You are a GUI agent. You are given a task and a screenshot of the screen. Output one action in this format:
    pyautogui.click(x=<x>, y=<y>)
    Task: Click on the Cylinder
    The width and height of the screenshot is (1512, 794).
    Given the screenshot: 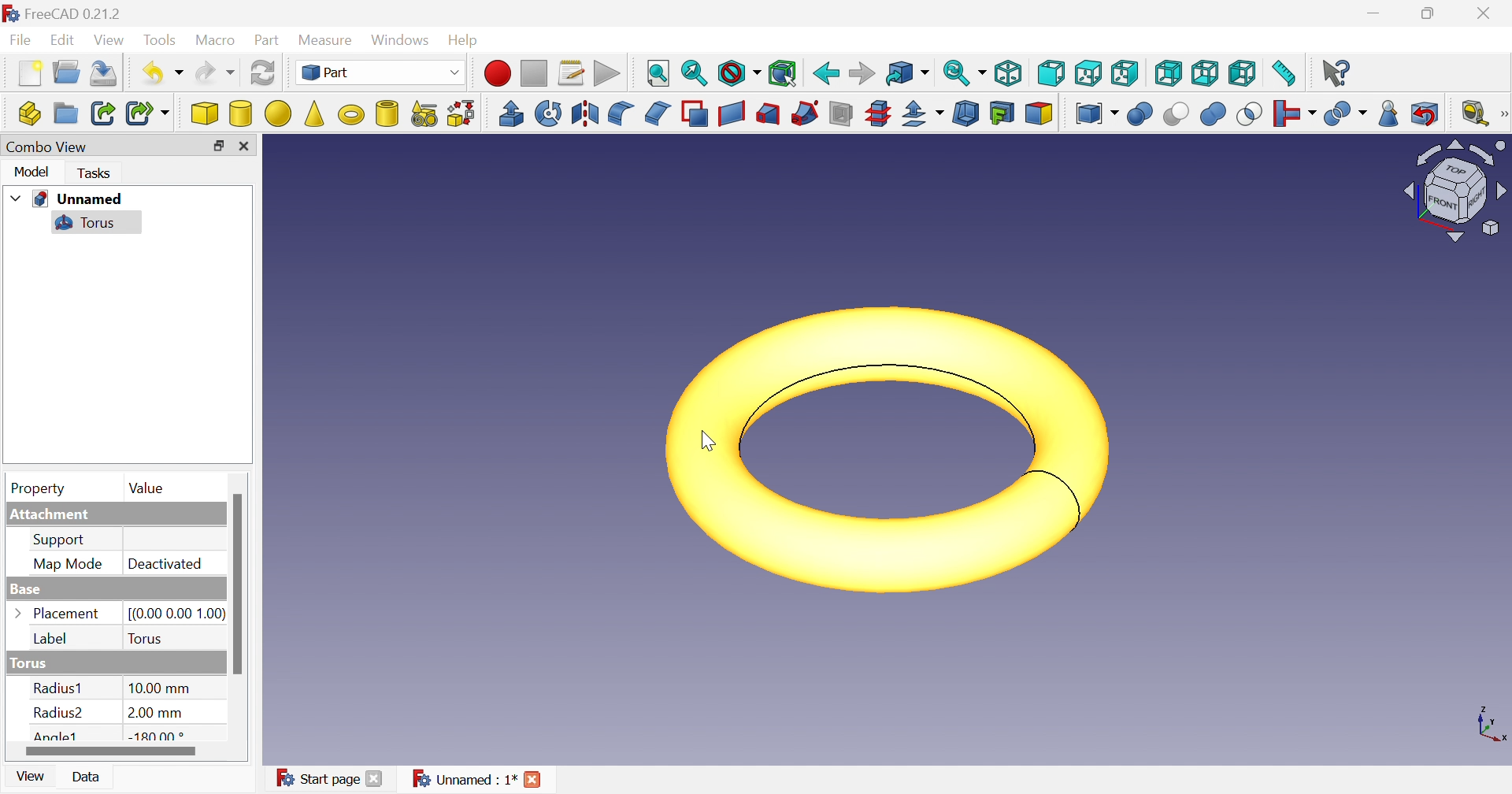 What is the action you would take?
    pyautogui.click(x=239, y=114)
    